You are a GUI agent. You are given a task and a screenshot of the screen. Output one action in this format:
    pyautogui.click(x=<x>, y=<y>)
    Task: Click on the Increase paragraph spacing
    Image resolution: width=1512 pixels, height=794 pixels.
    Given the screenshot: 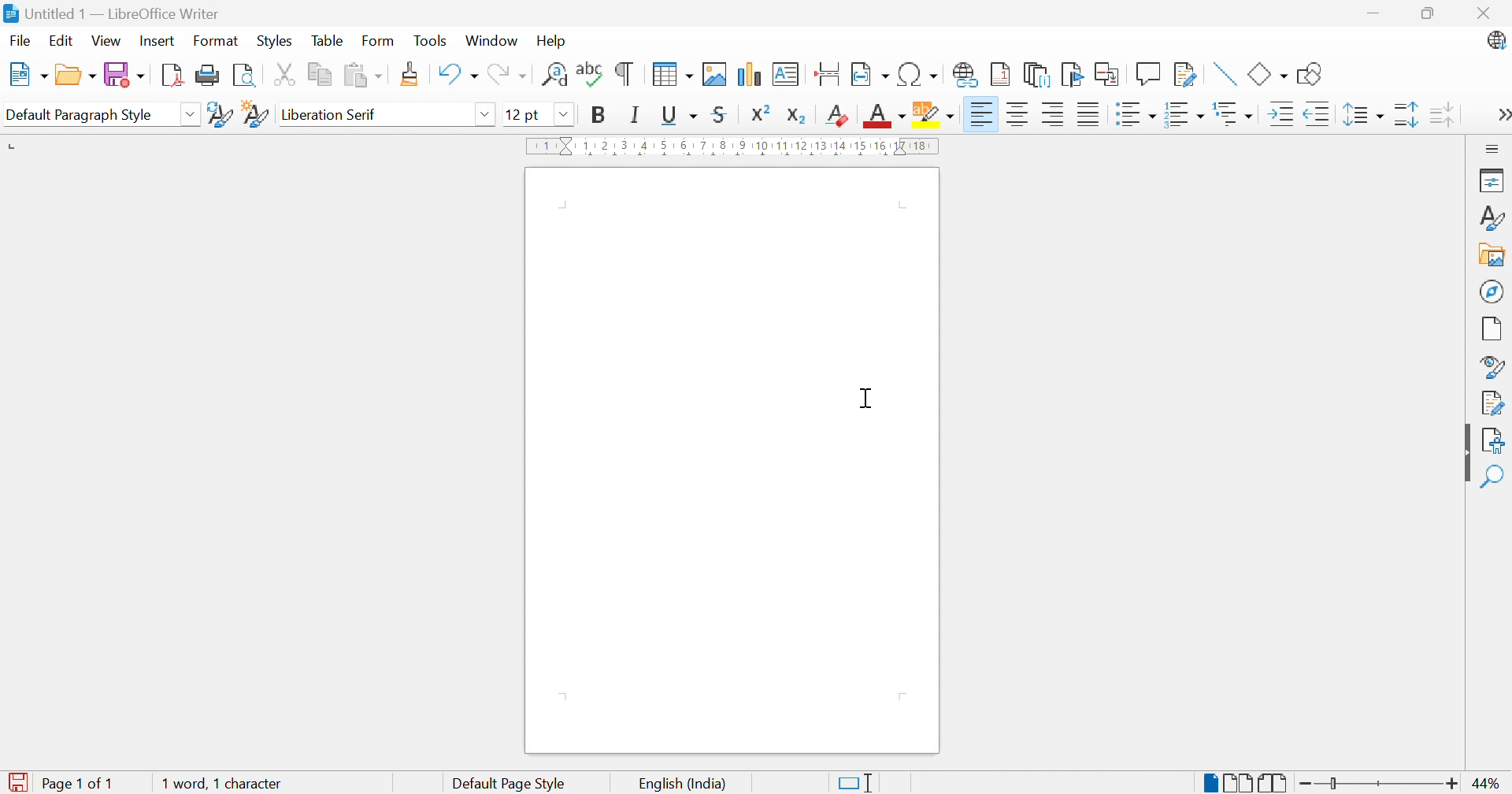 What is the action you would take?
    pyautogui.click(x=1407, y=116)
    